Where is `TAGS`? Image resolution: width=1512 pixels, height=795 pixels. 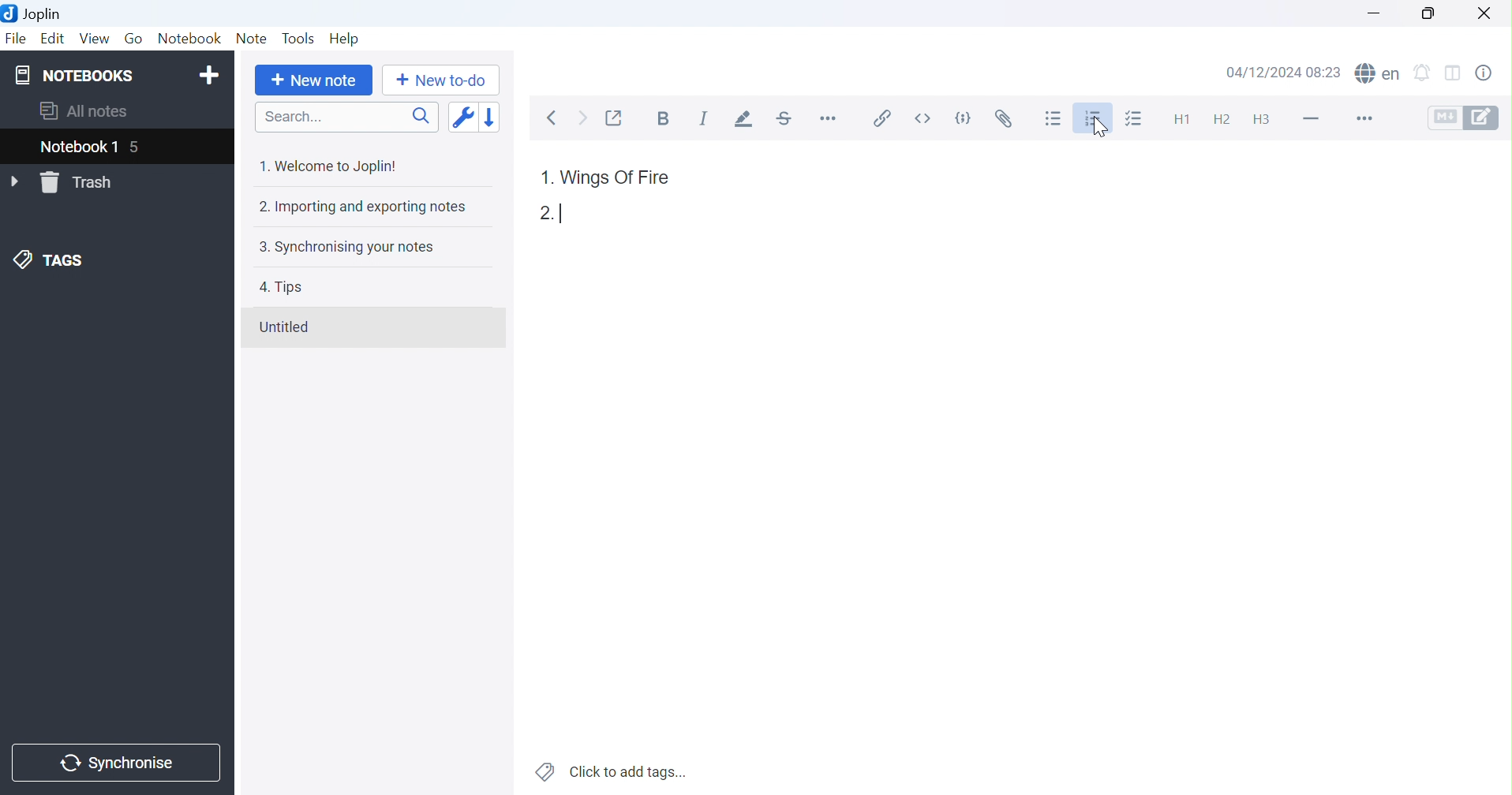
TAGS is located at coordinates (51, 261).